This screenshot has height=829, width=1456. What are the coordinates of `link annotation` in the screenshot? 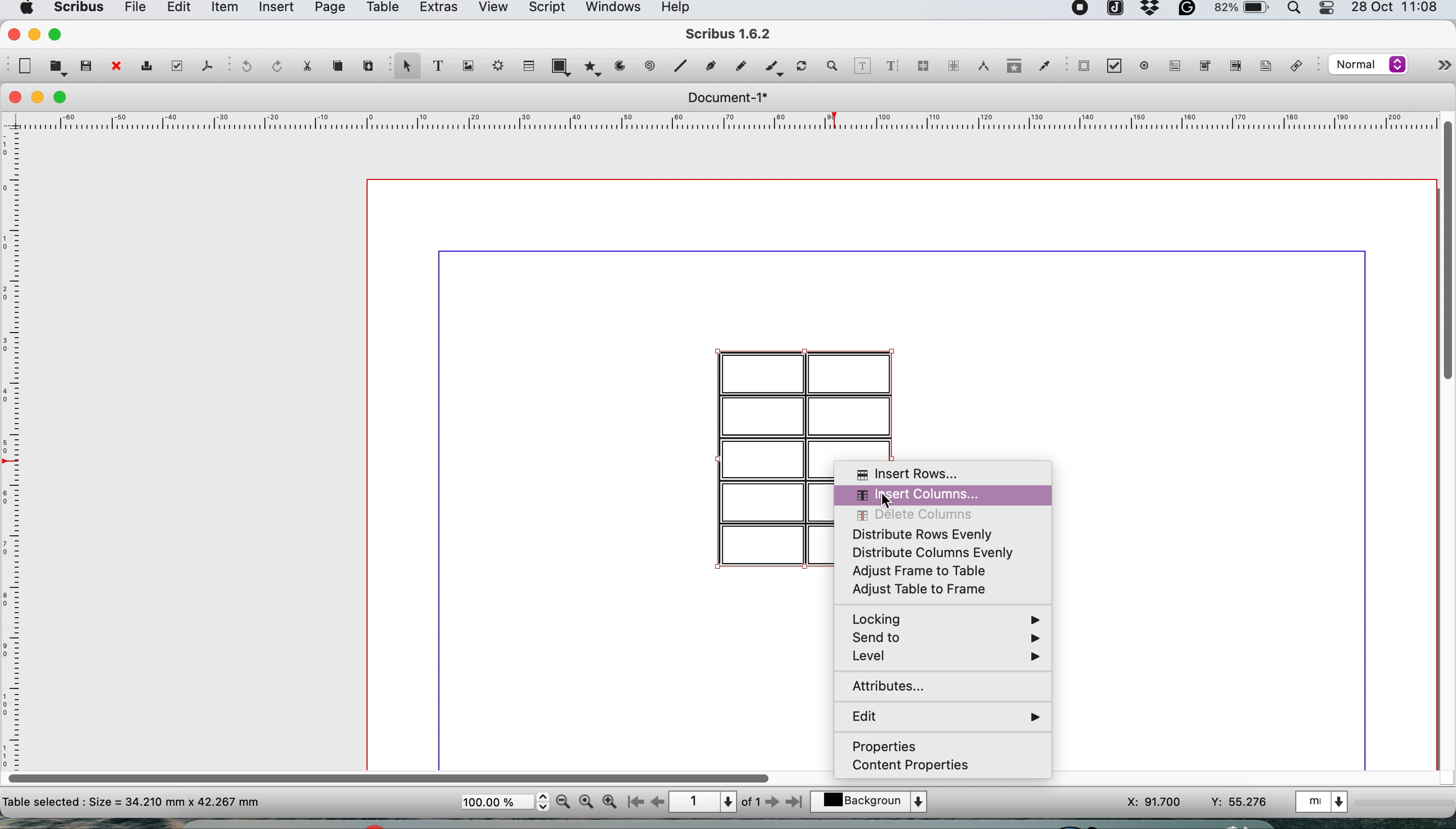 It's located at (1299, 67).